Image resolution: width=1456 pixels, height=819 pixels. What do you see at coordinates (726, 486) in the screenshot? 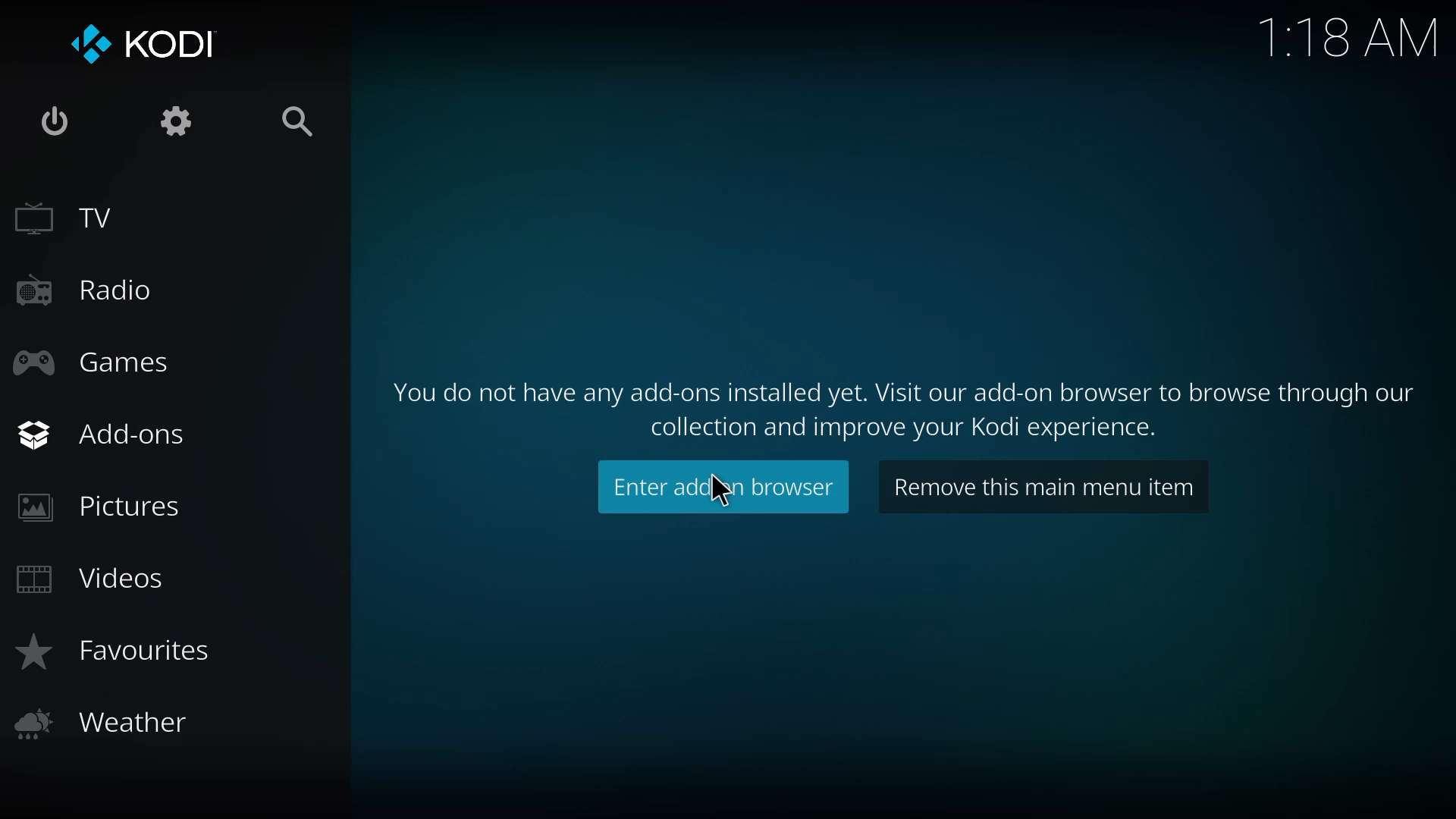
I see `click` at bounding box center [726, 486].